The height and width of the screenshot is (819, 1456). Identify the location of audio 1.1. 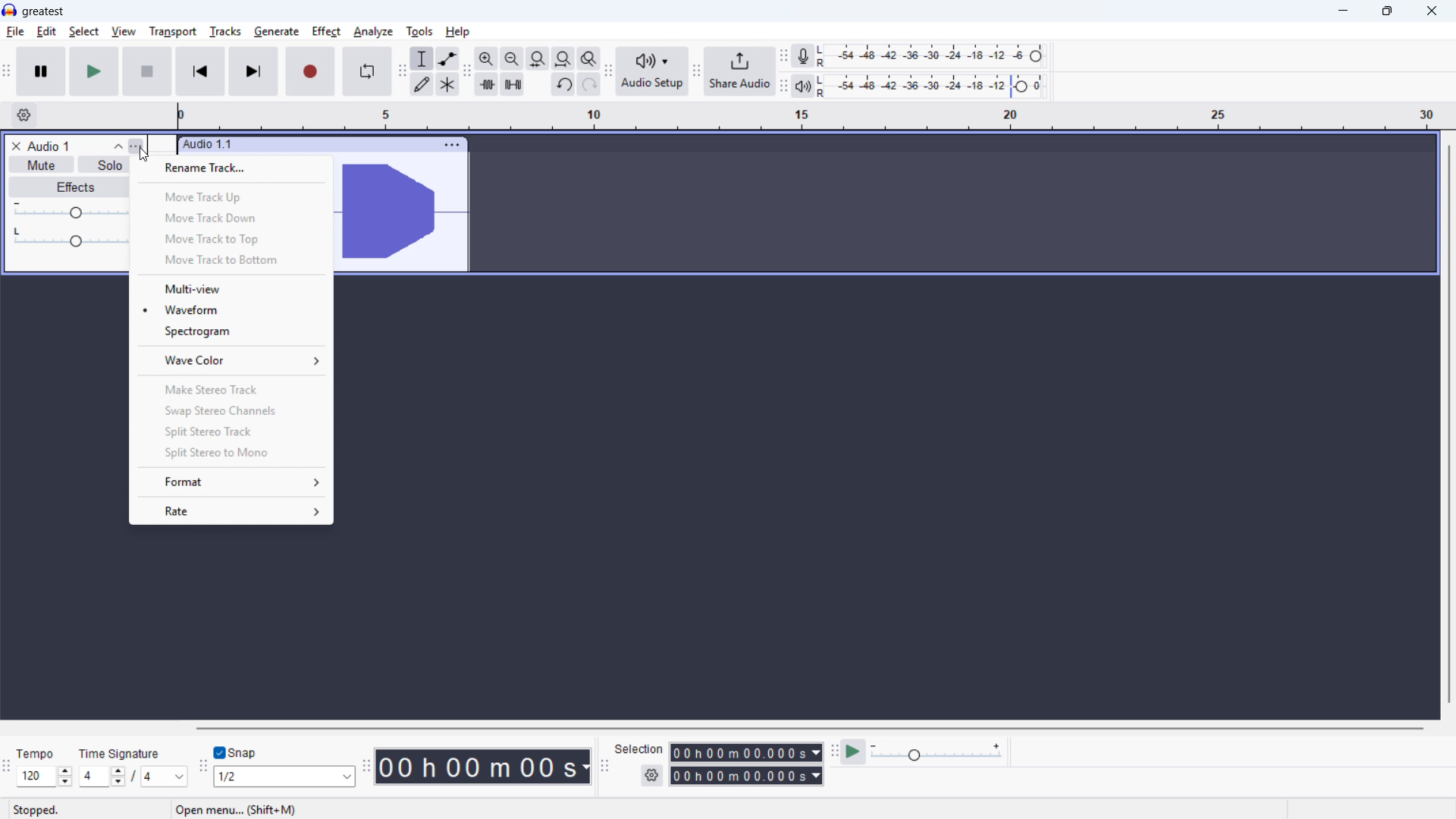
(206, 144).